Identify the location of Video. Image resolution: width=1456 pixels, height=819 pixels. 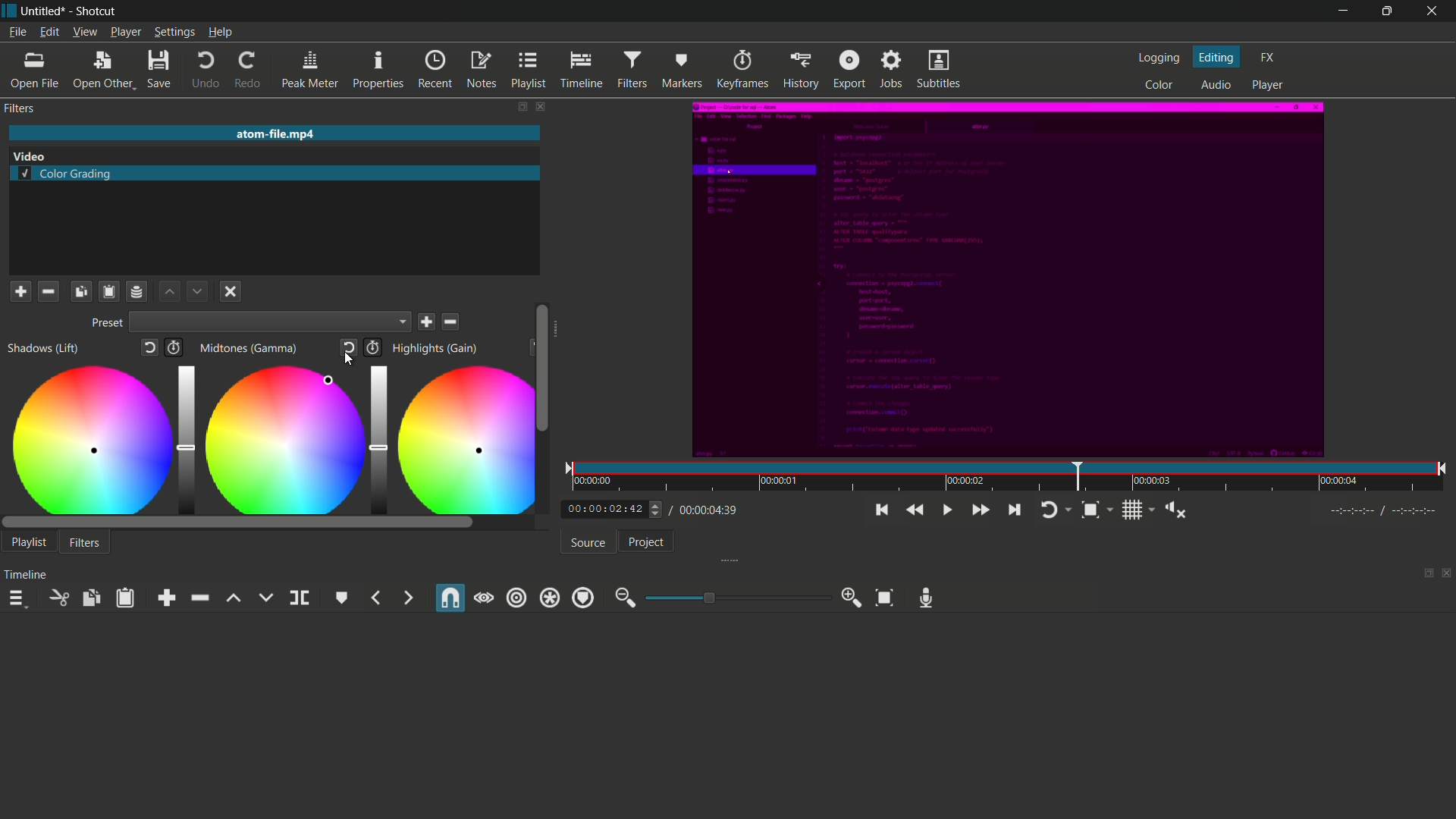
(36, 155).